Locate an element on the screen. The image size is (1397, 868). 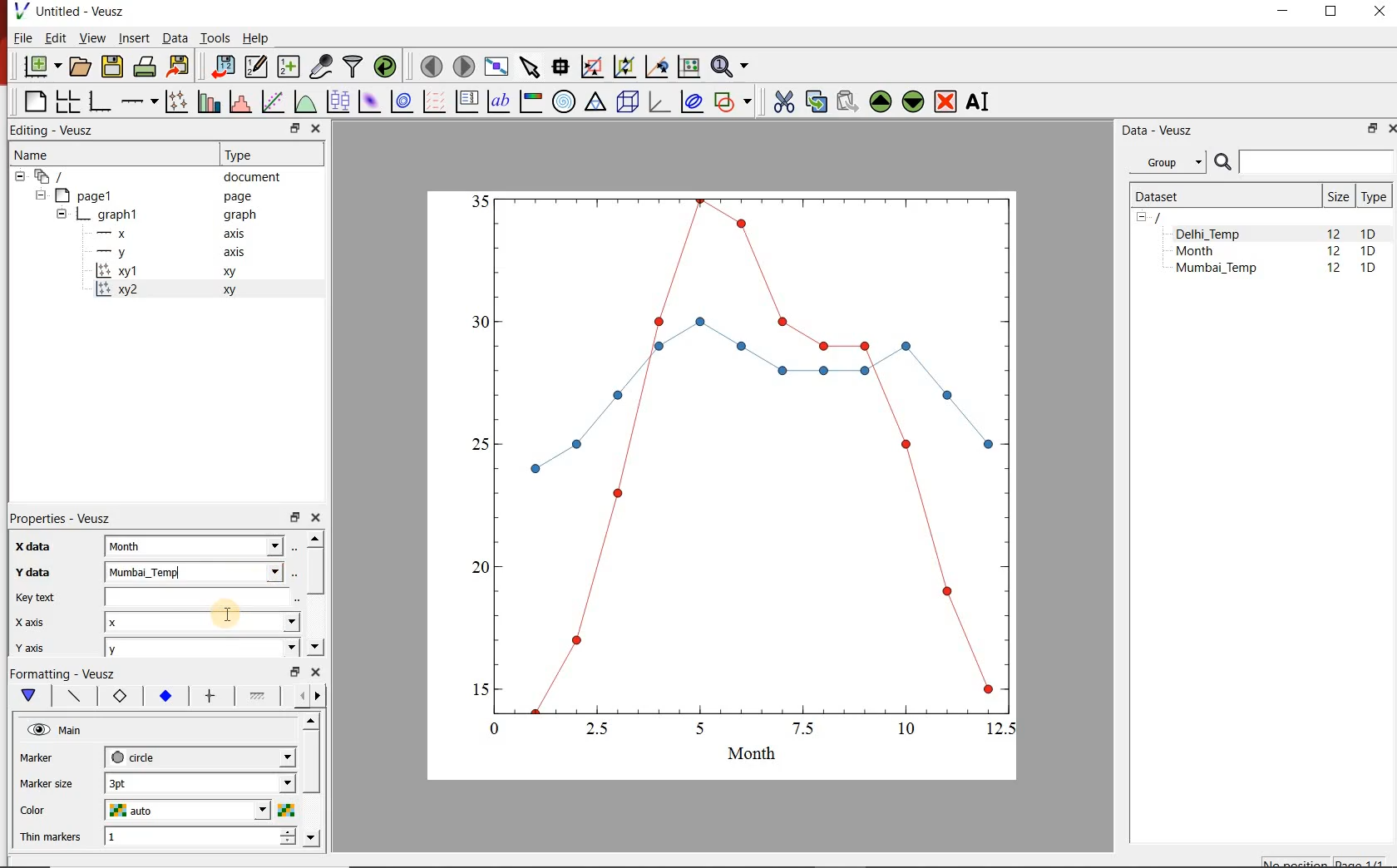
auto is located at coordinates (199, 810).